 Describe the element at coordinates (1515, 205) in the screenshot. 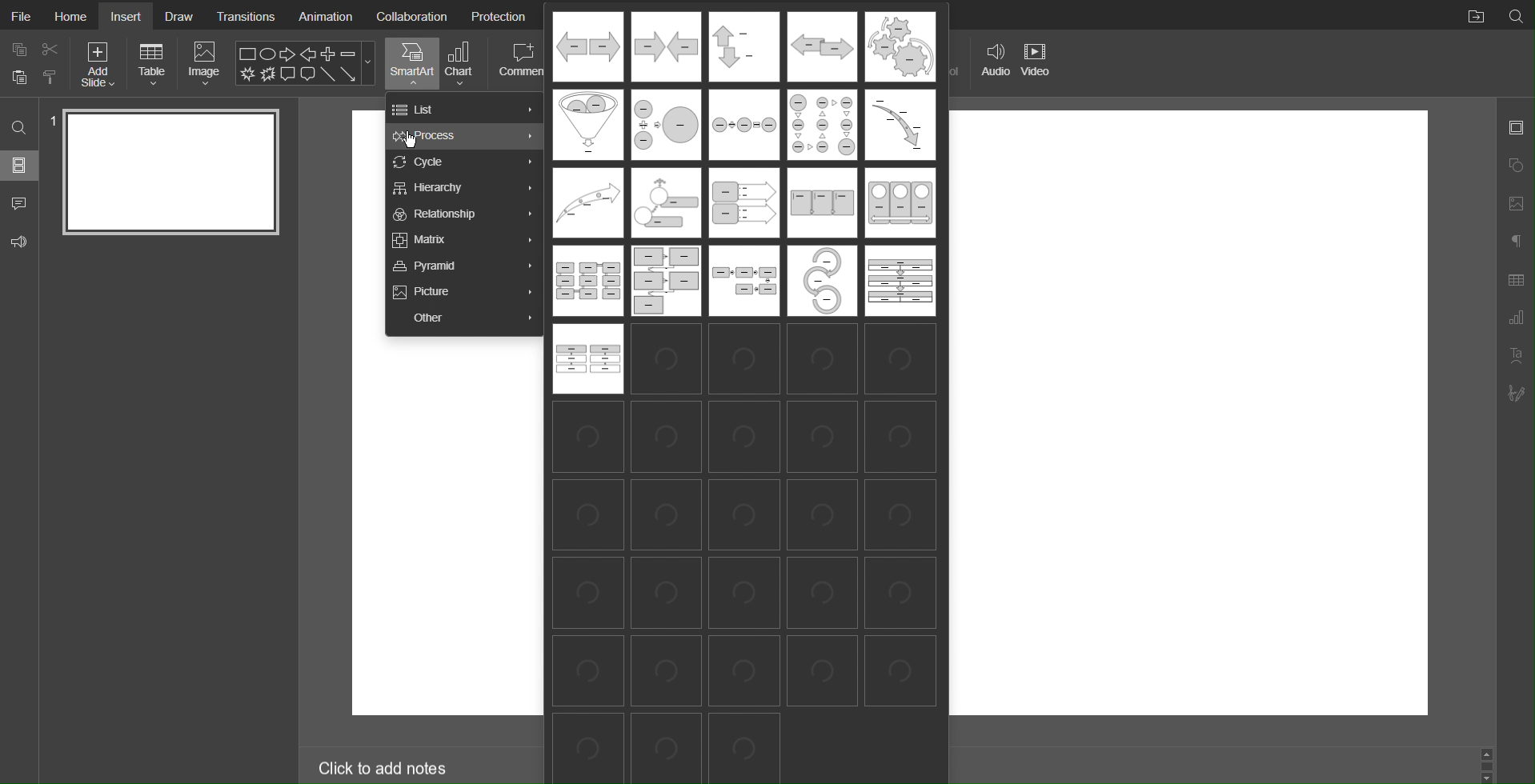

I see `Image Settings` at that location.